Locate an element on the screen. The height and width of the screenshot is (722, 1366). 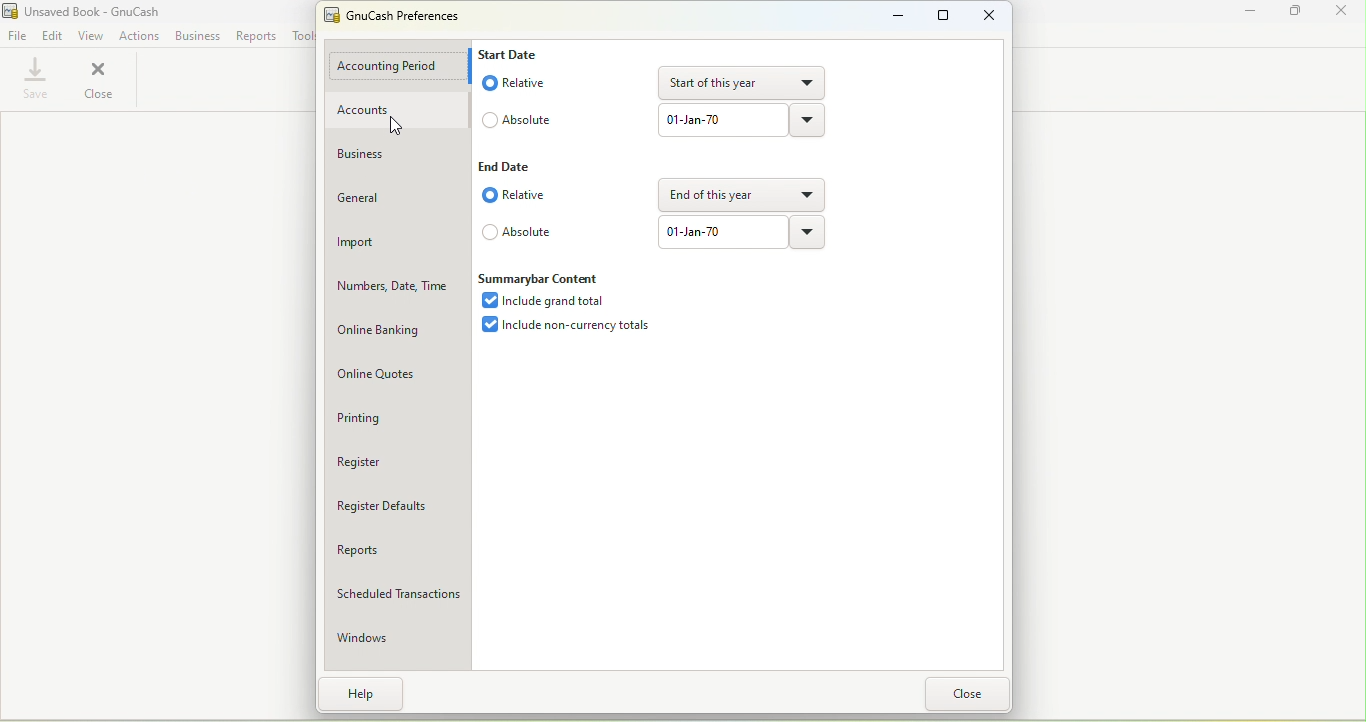
Tools is located at coordinates (304, 37).